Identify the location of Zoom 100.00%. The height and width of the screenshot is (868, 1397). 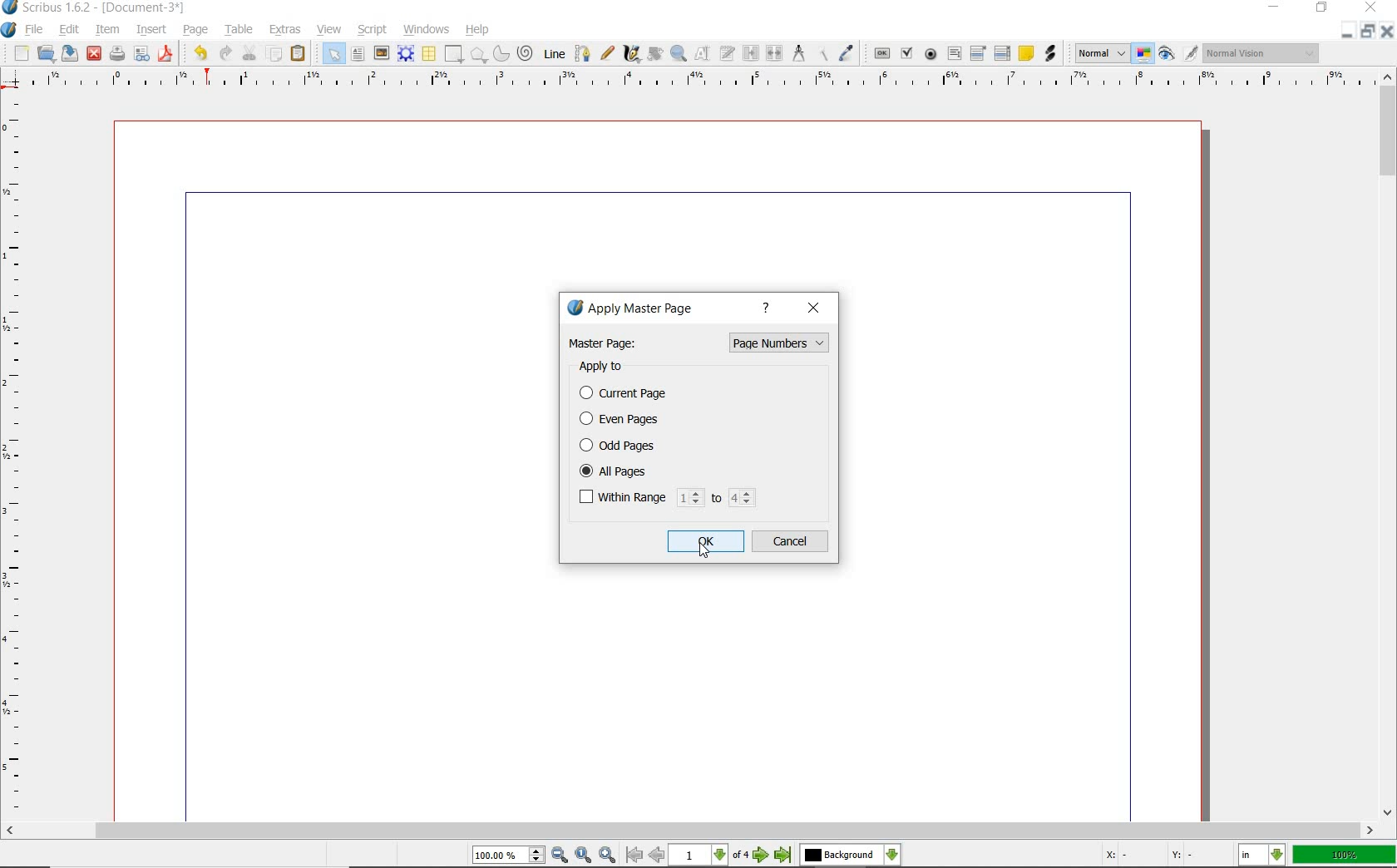
(508, 855).